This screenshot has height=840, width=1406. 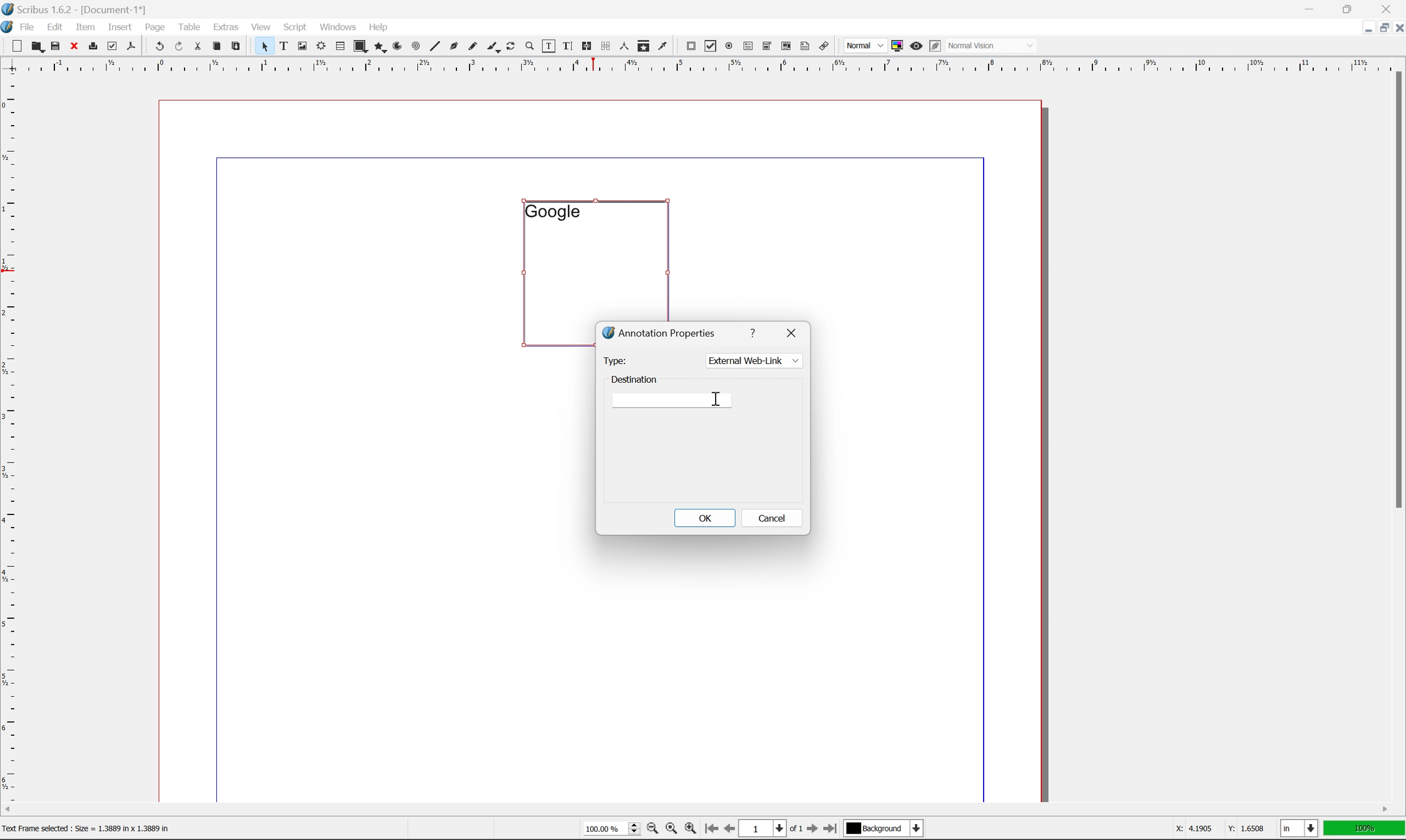 I want to click on go to previous page, so click(x=730, y=830).